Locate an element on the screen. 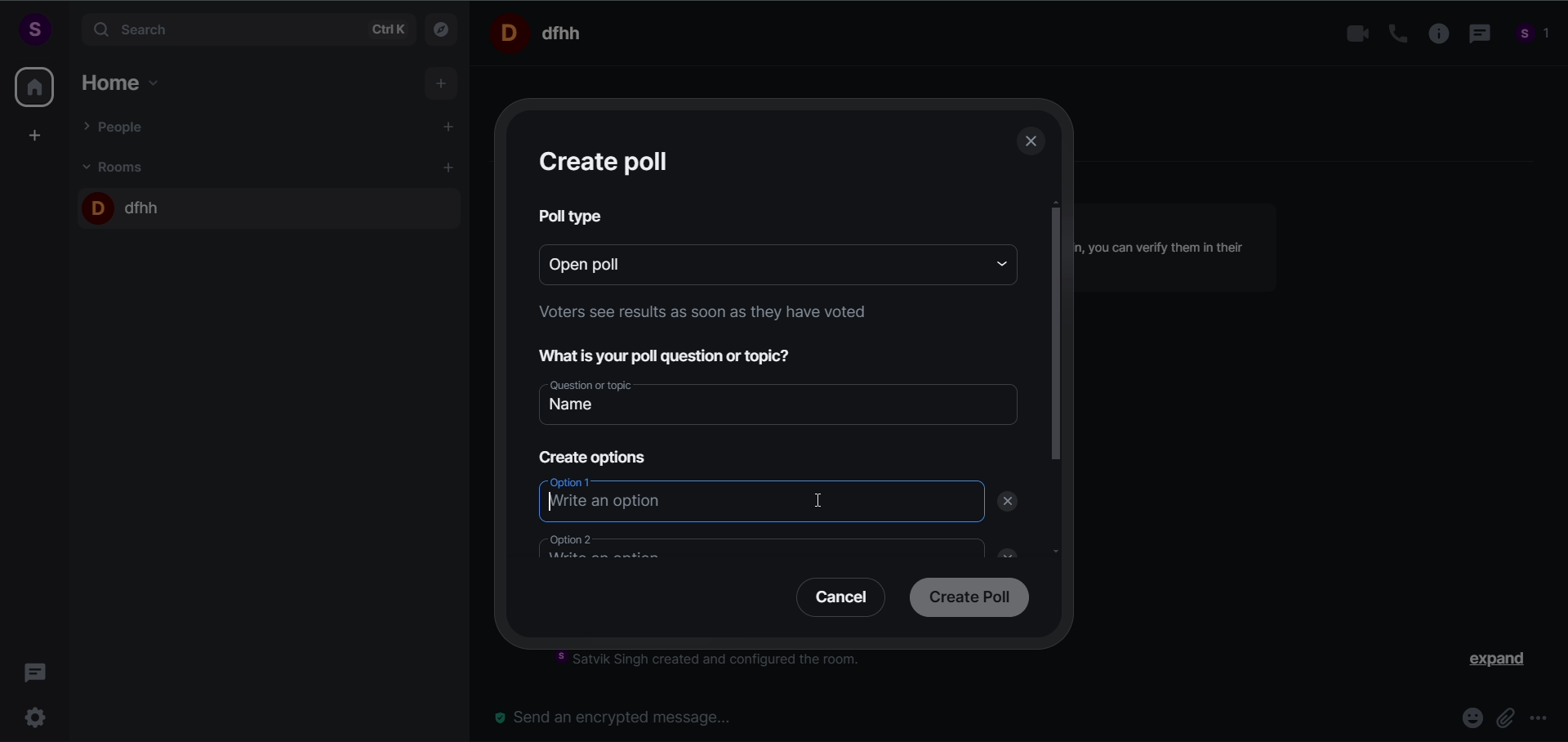 The image size is (1568, 742). rooms is located at coordinates (118, 166).